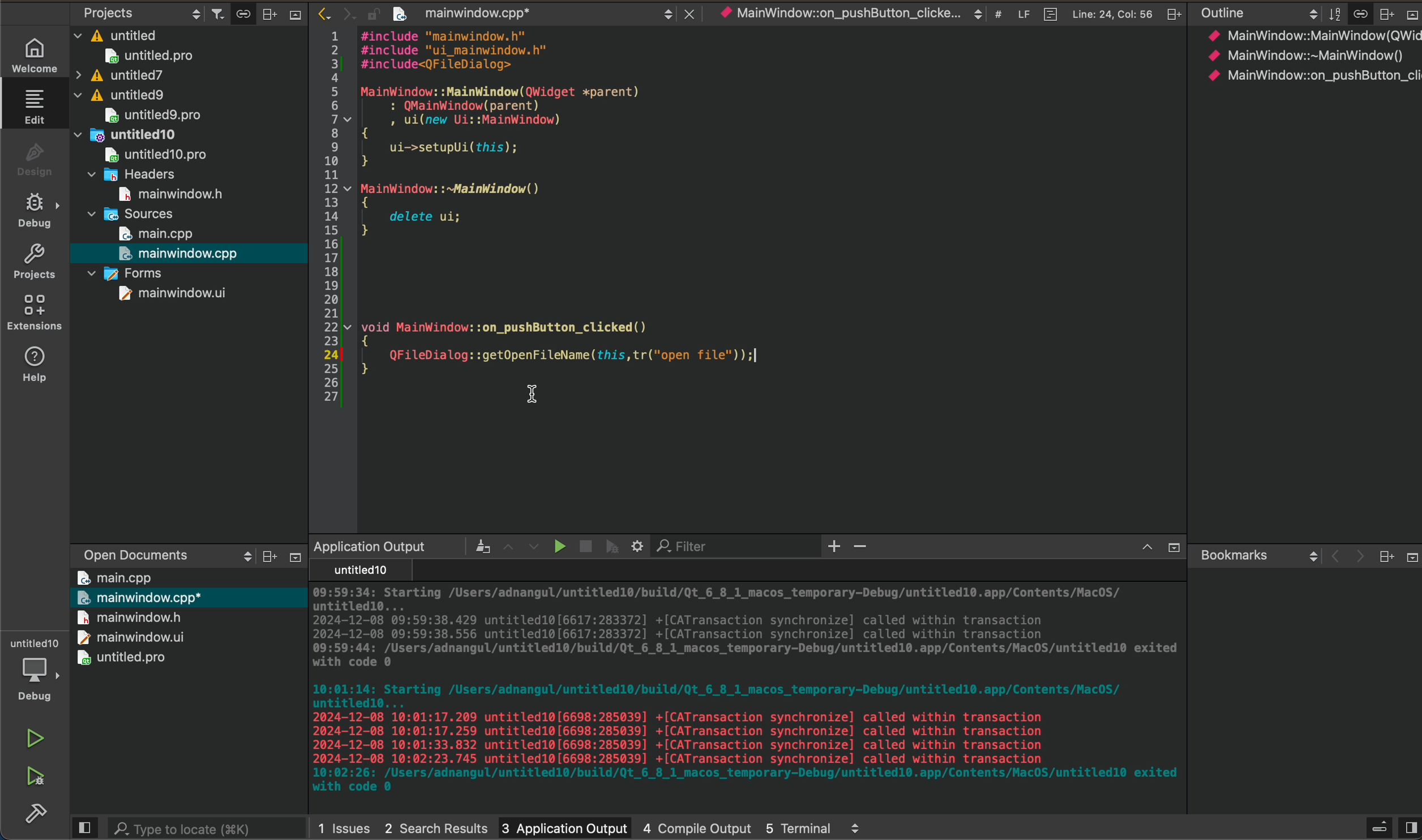 The width and height of the screenshot is (1422, 840). What do you see at coordinates (563, 825) in the screenshot?
I see `3 Application Output` at bounding box center [563, 825].